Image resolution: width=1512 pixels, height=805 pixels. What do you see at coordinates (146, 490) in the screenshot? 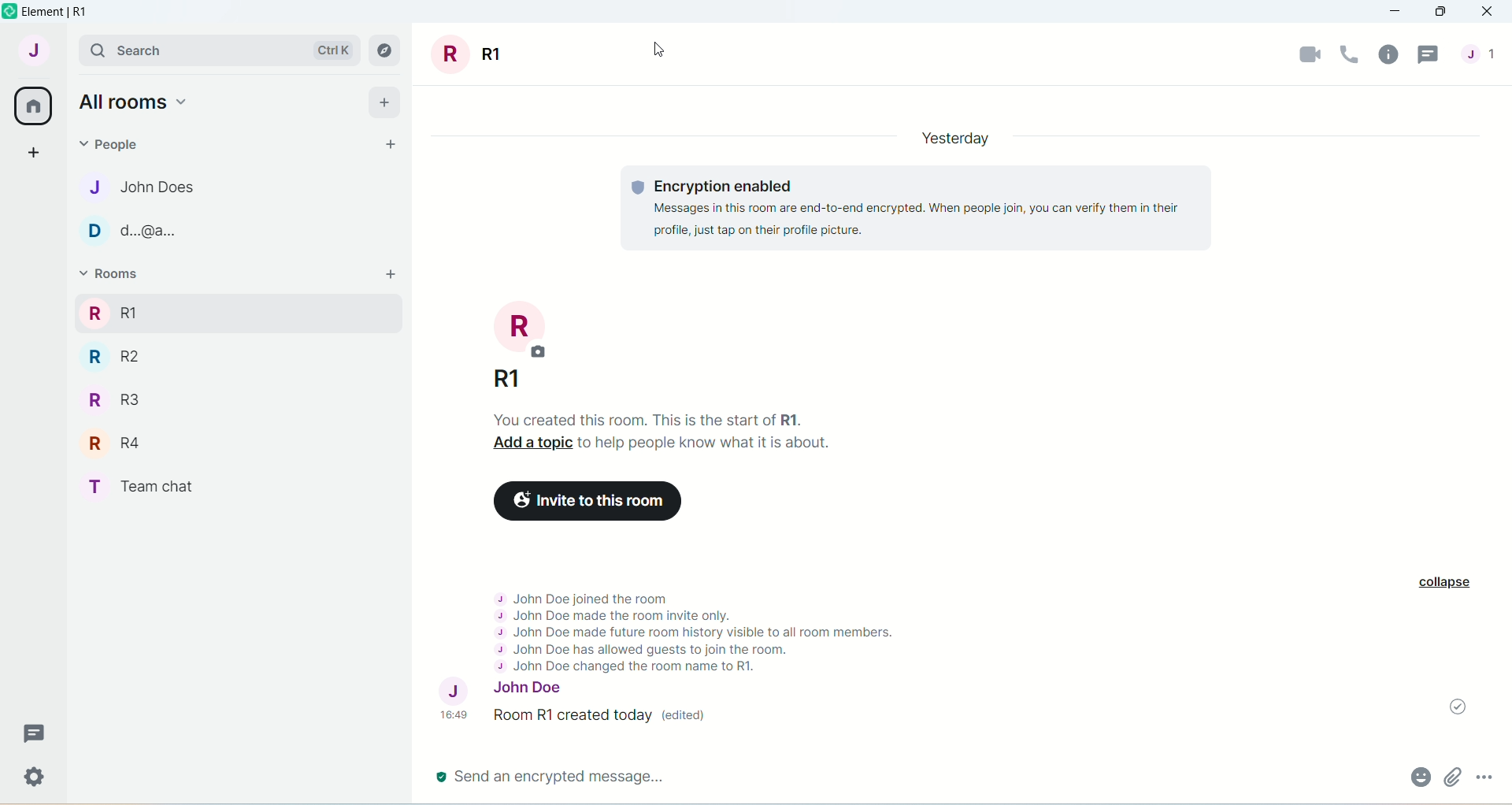
I see `Team chat` at bounding box center [146, 490].